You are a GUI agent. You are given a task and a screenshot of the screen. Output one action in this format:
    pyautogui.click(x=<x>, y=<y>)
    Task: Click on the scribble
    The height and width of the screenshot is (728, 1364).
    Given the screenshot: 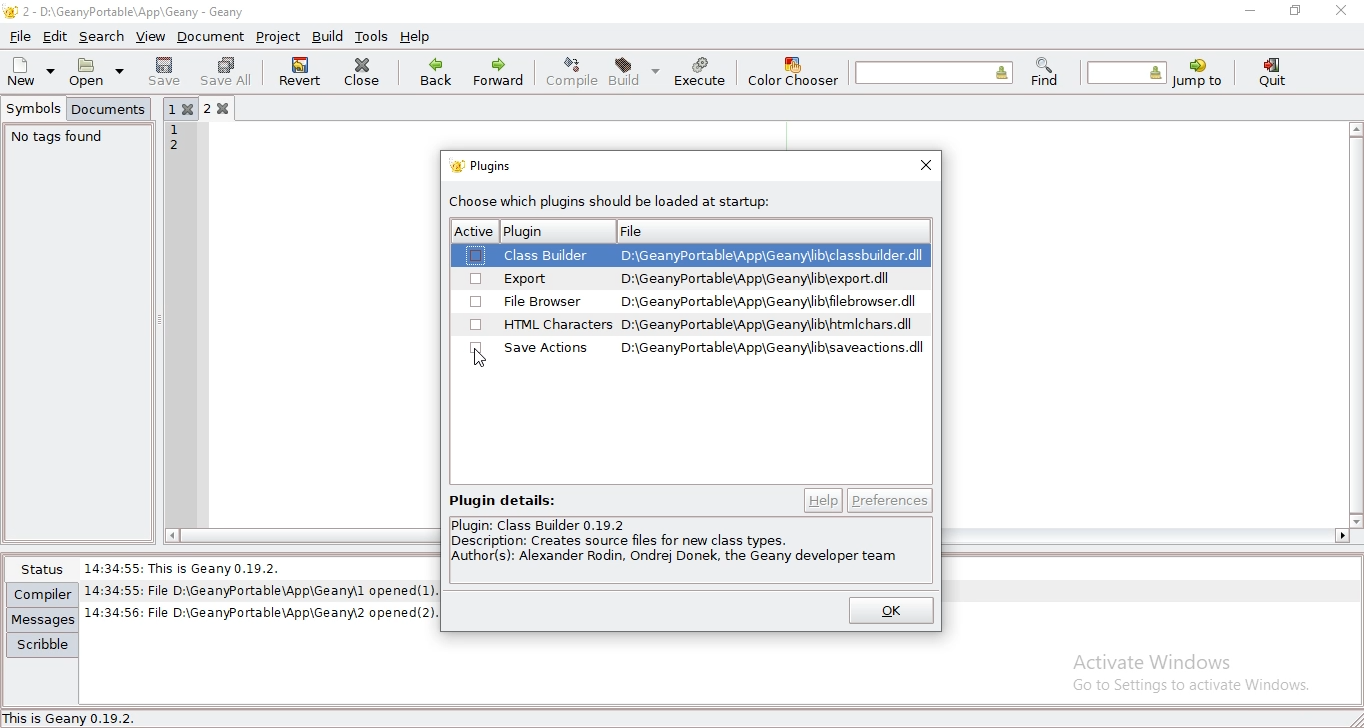 What is the action you would take?
    pyautogui.click(x=42, y=645)
    